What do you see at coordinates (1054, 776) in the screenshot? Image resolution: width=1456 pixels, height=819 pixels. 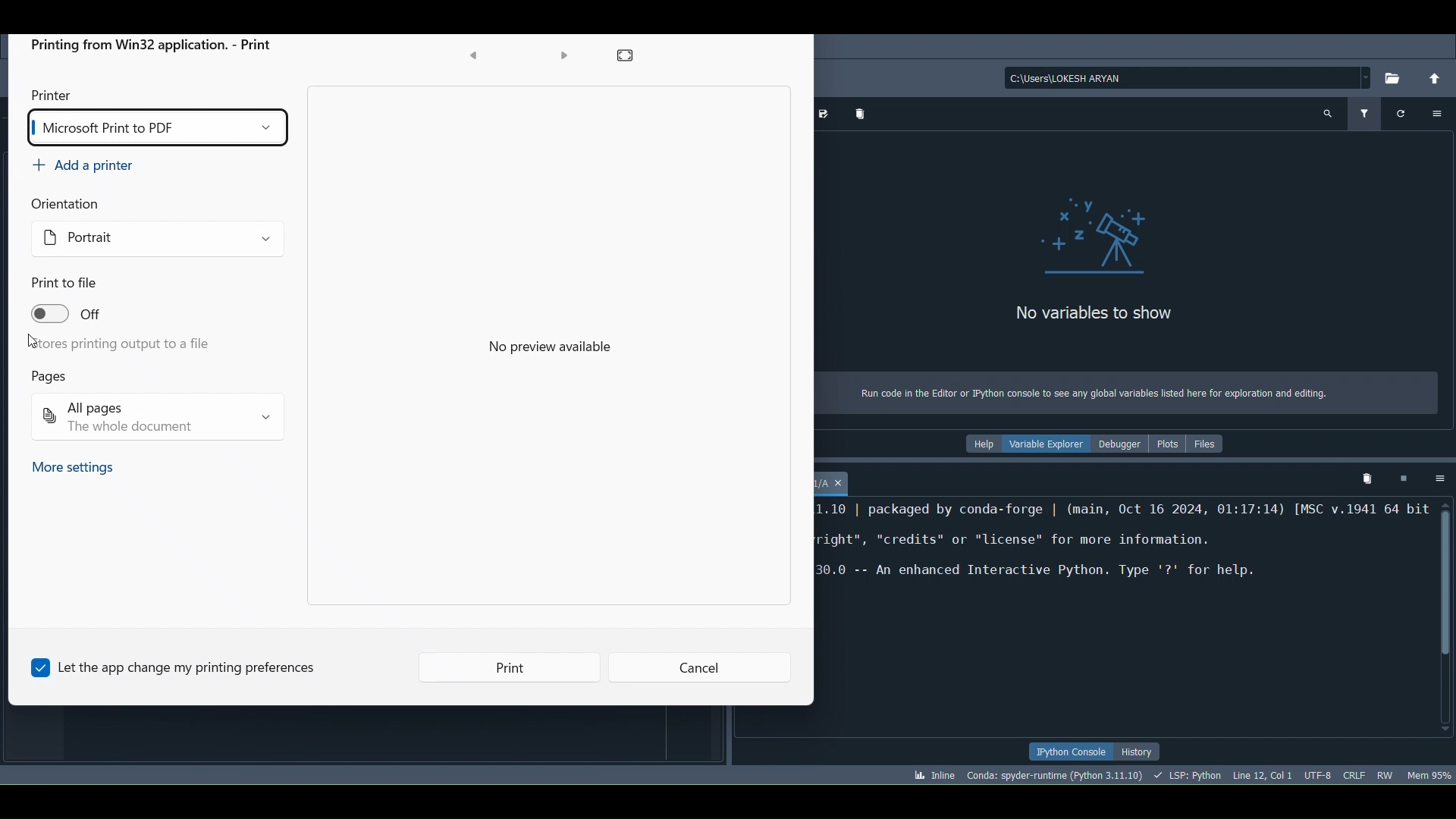 I see `CONDA: spyder-runtime(python 3.11.10)` at bounding box center [1054, 776].